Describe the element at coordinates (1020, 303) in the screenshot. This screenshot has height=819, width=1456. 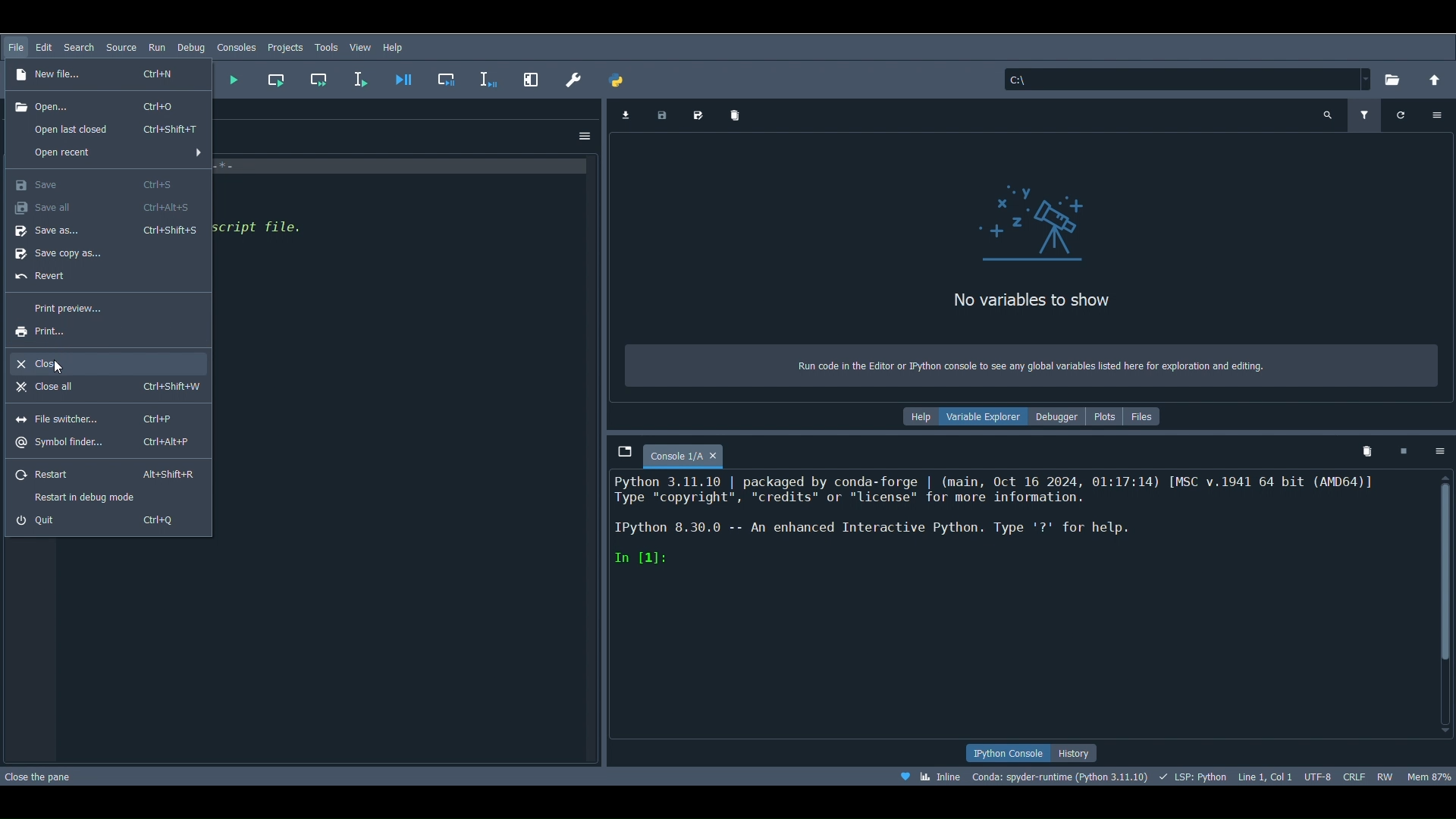
I see `No variables to show` at that location.